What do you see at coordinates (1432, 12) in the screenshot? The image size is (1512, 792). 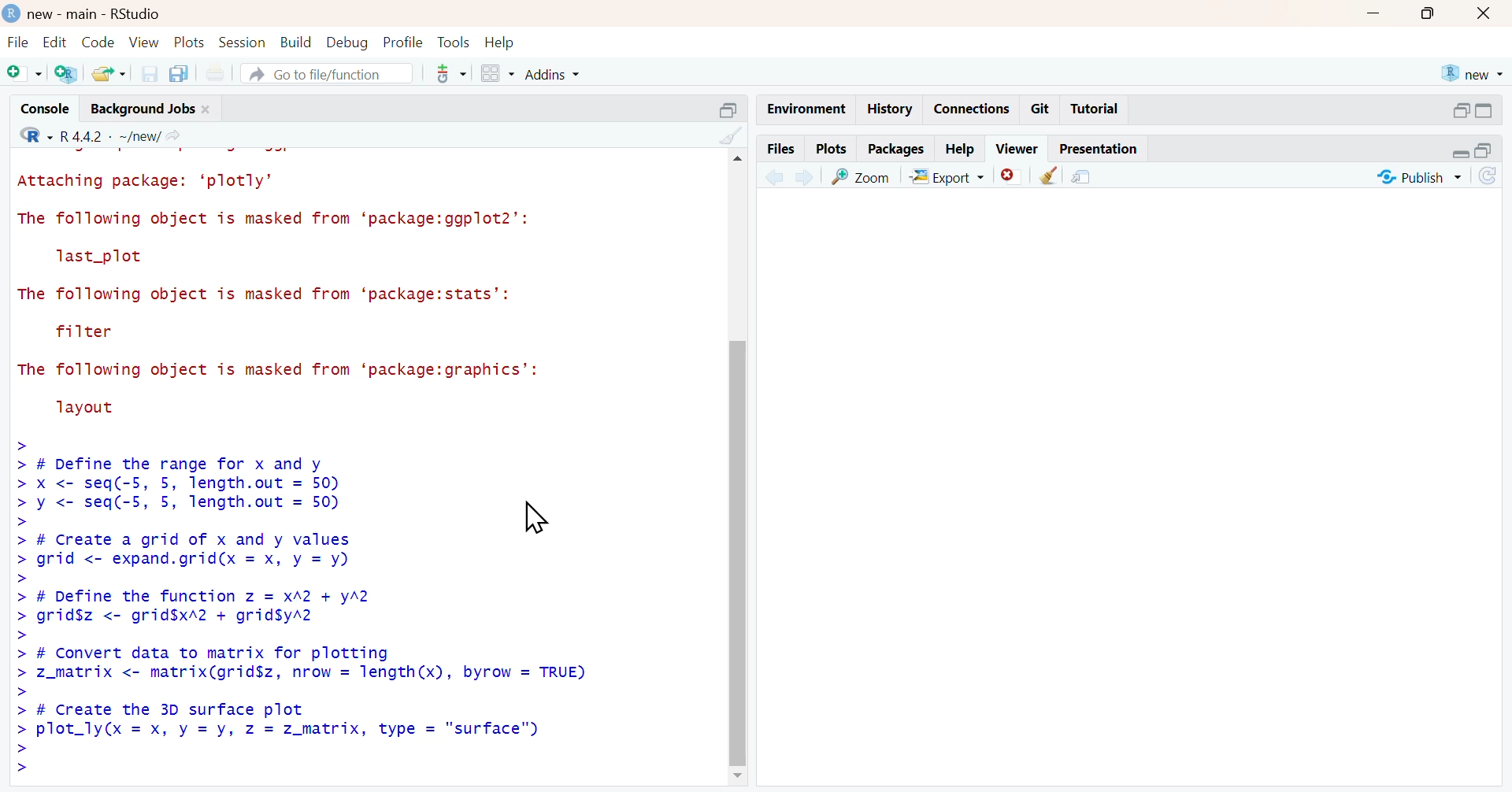 I see `maximize` at bounding box center [1432, 12].